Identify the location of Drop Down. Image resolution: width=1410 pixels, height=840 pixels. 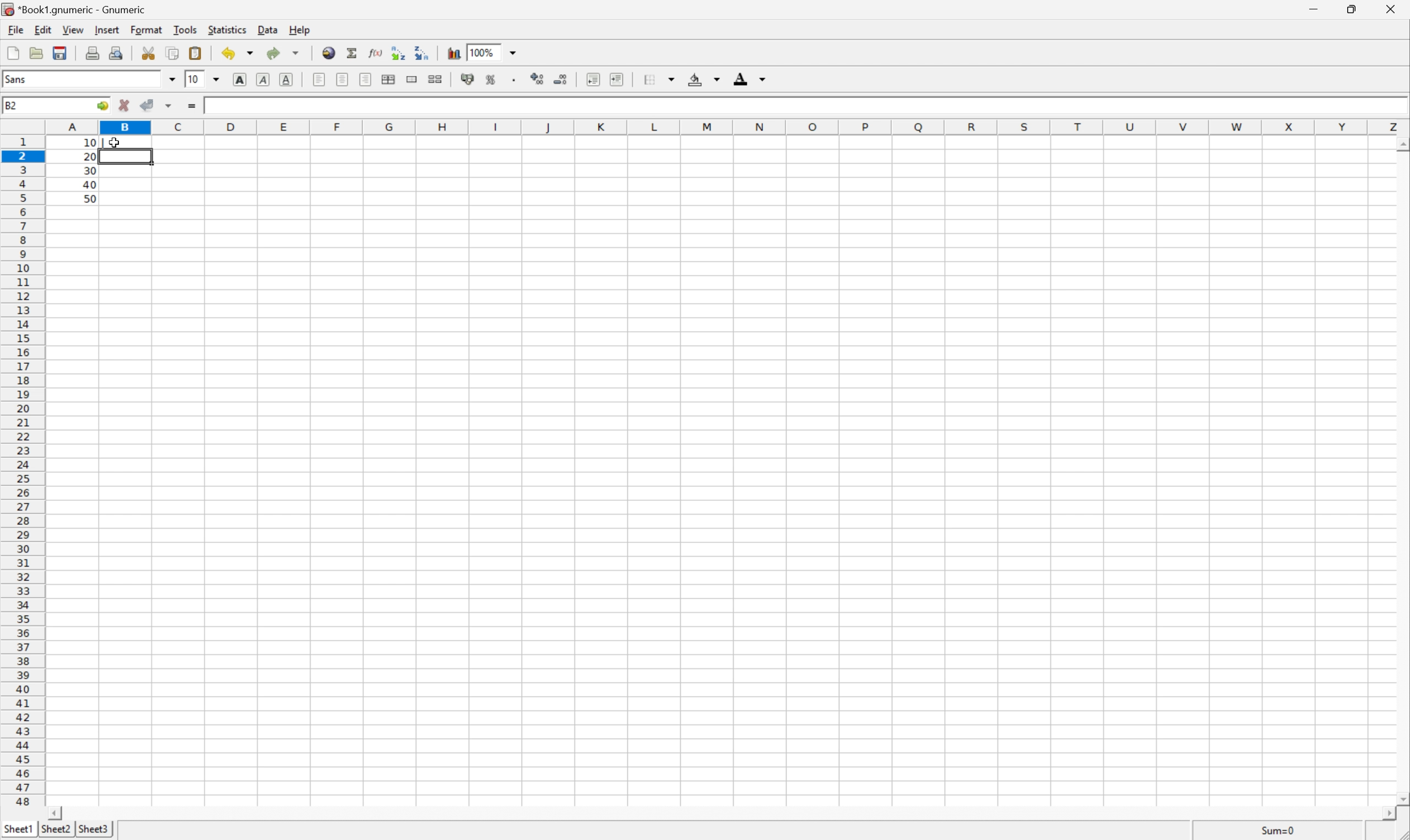
(171, 79).